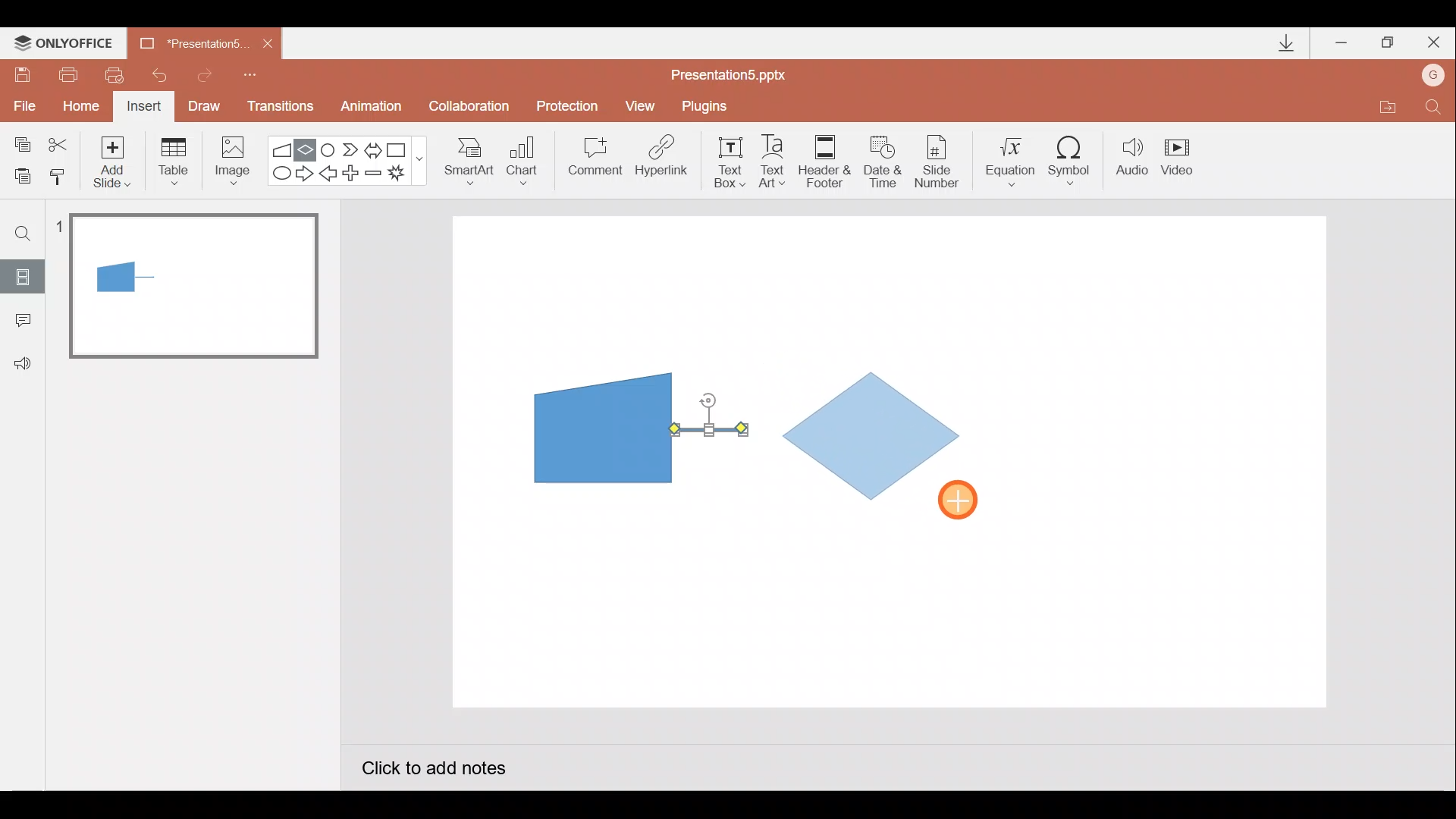 This screenshot has width=1456, height=819. Describe the element at coordinates (1434, 77) in the screenshot. I see `Account name` at that location.